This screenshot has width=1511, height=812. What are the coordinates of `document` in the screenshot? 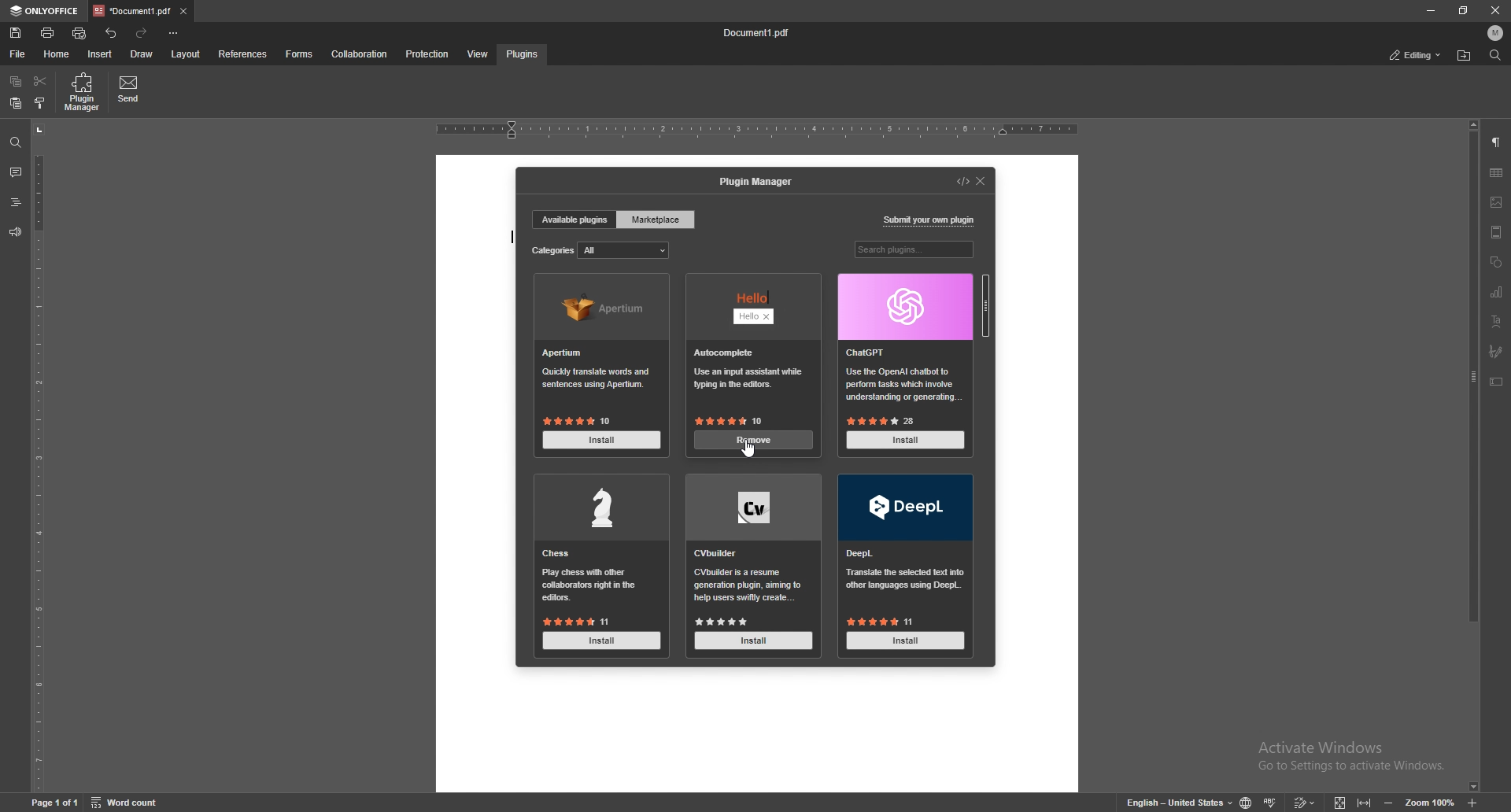 It's located at (1039, 412).